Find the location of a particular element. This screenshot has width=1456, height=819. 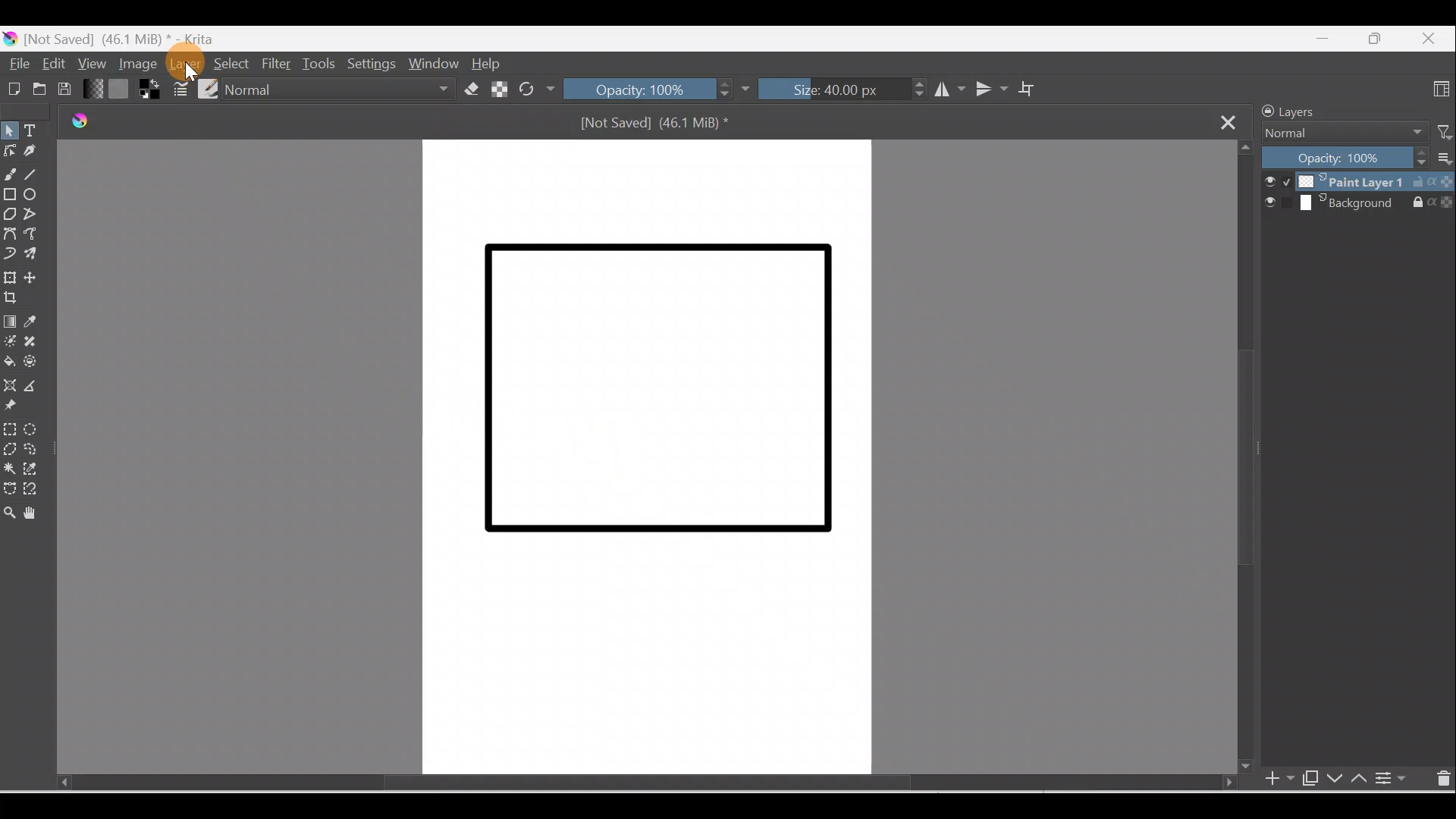

Window is located at coordinates (433, 62).